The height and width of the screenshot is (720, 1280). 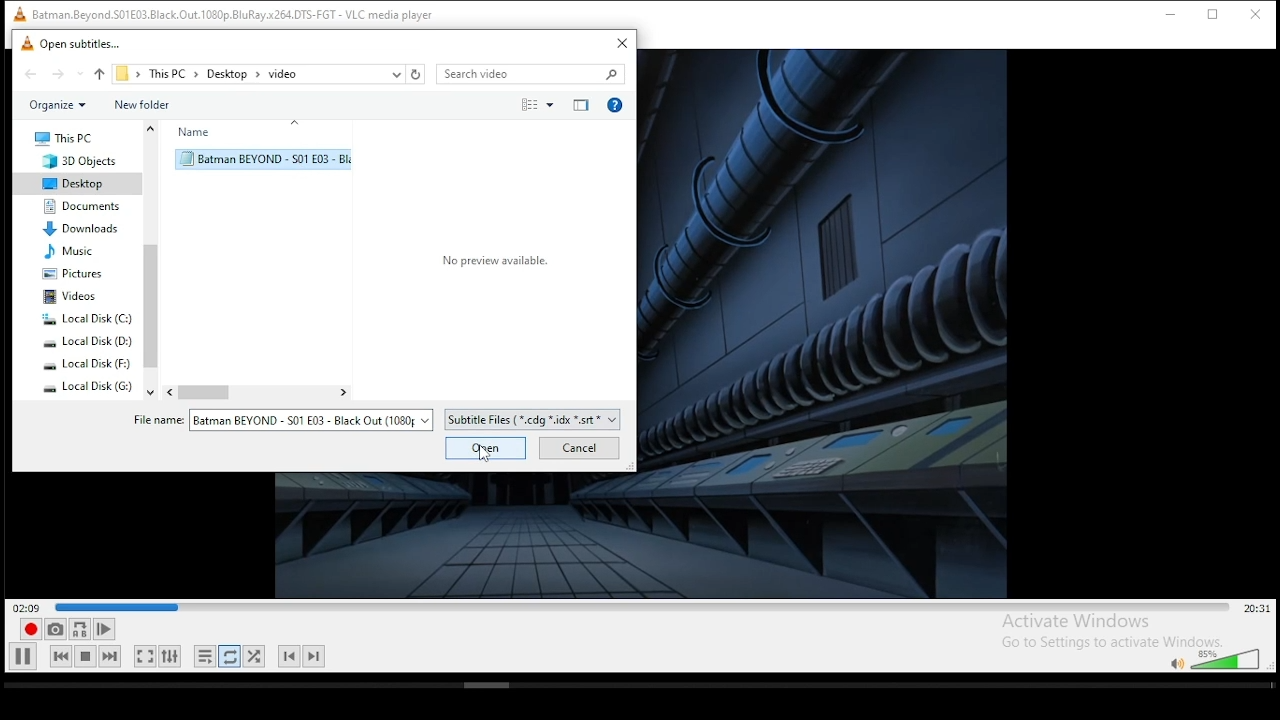 I want to click on up, so click(x=99, y=73).